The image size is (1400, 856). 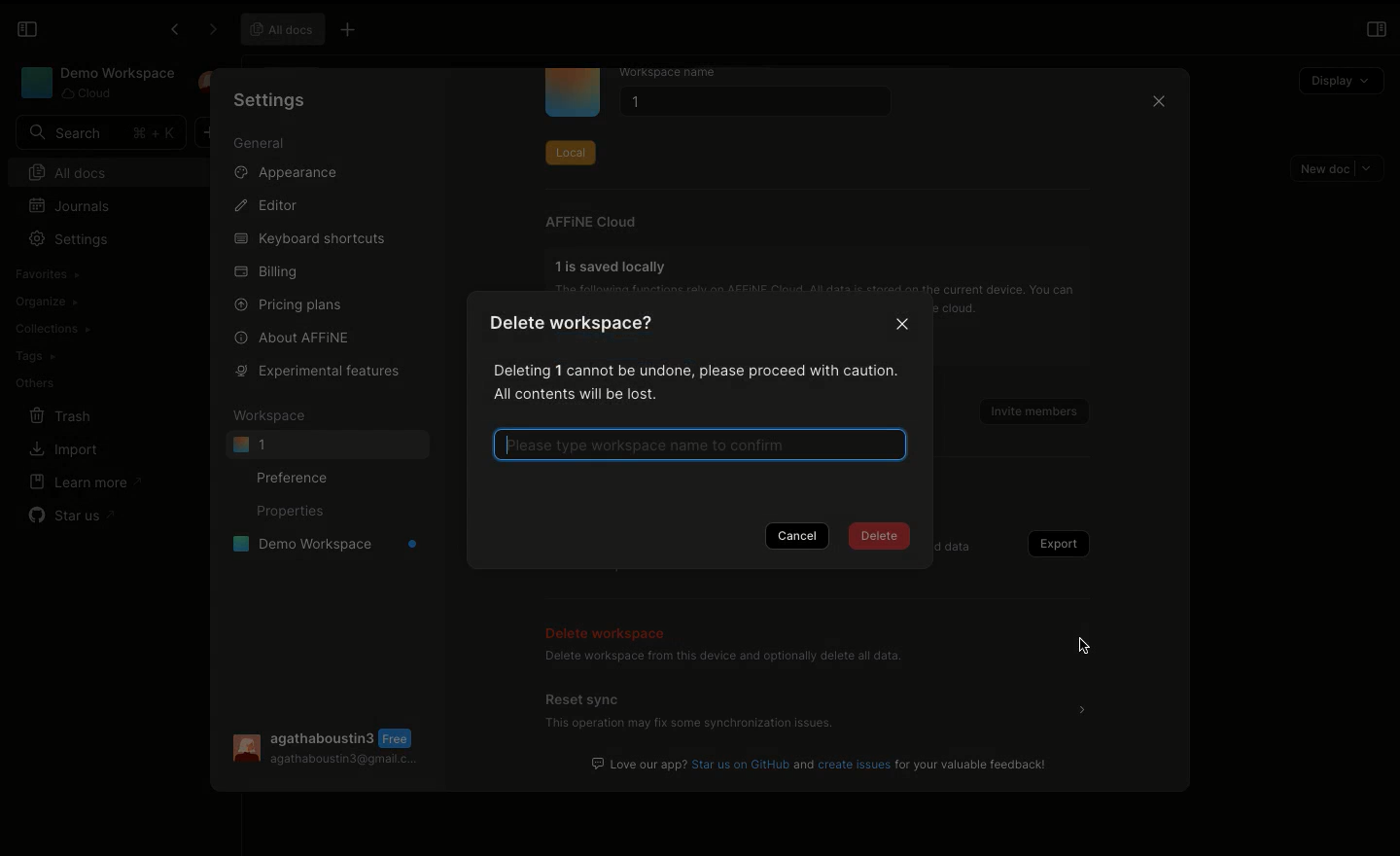 I want to click on User Image, so click(x=244, y=749).